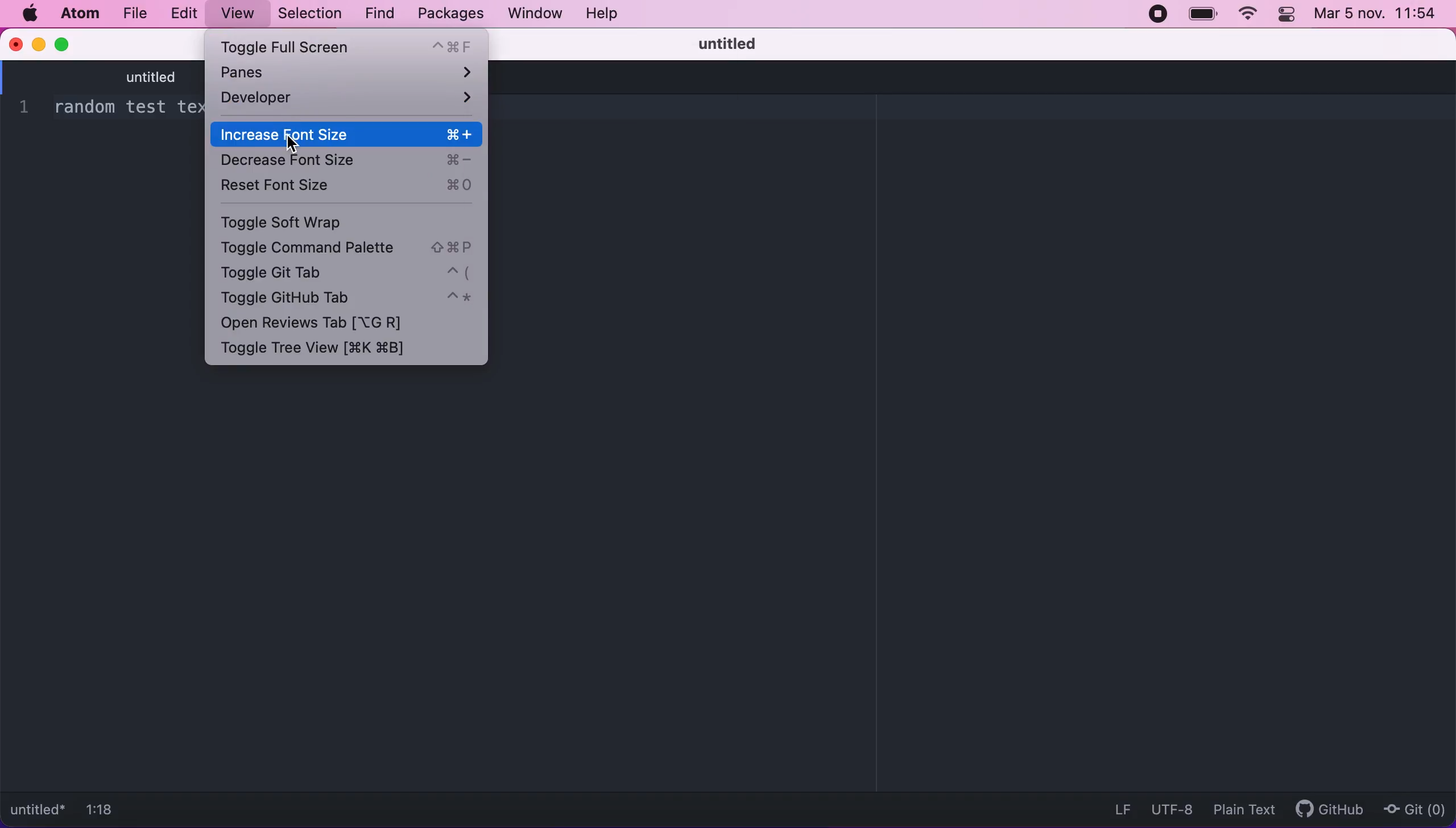 The image size is (1456, 828). I want to click on increase font size, so click(348, 134).